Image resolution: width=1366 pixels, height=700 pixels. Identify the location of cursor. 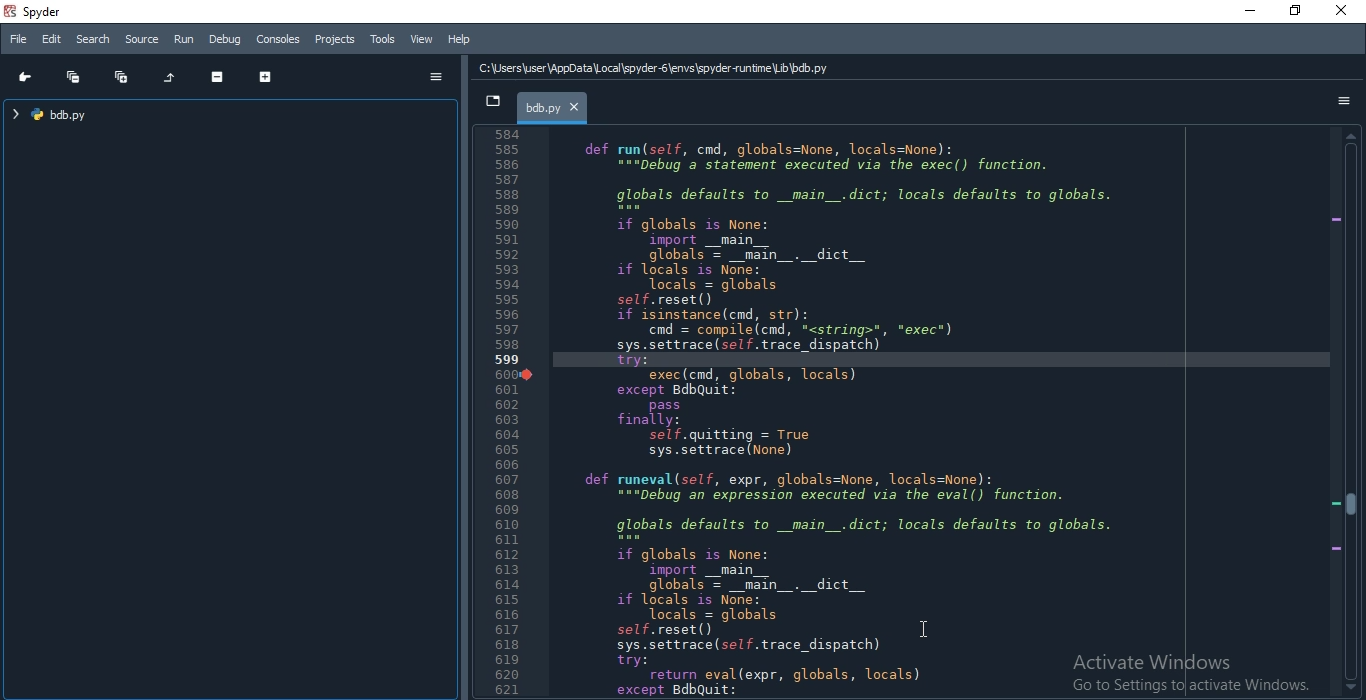
(925, 627).